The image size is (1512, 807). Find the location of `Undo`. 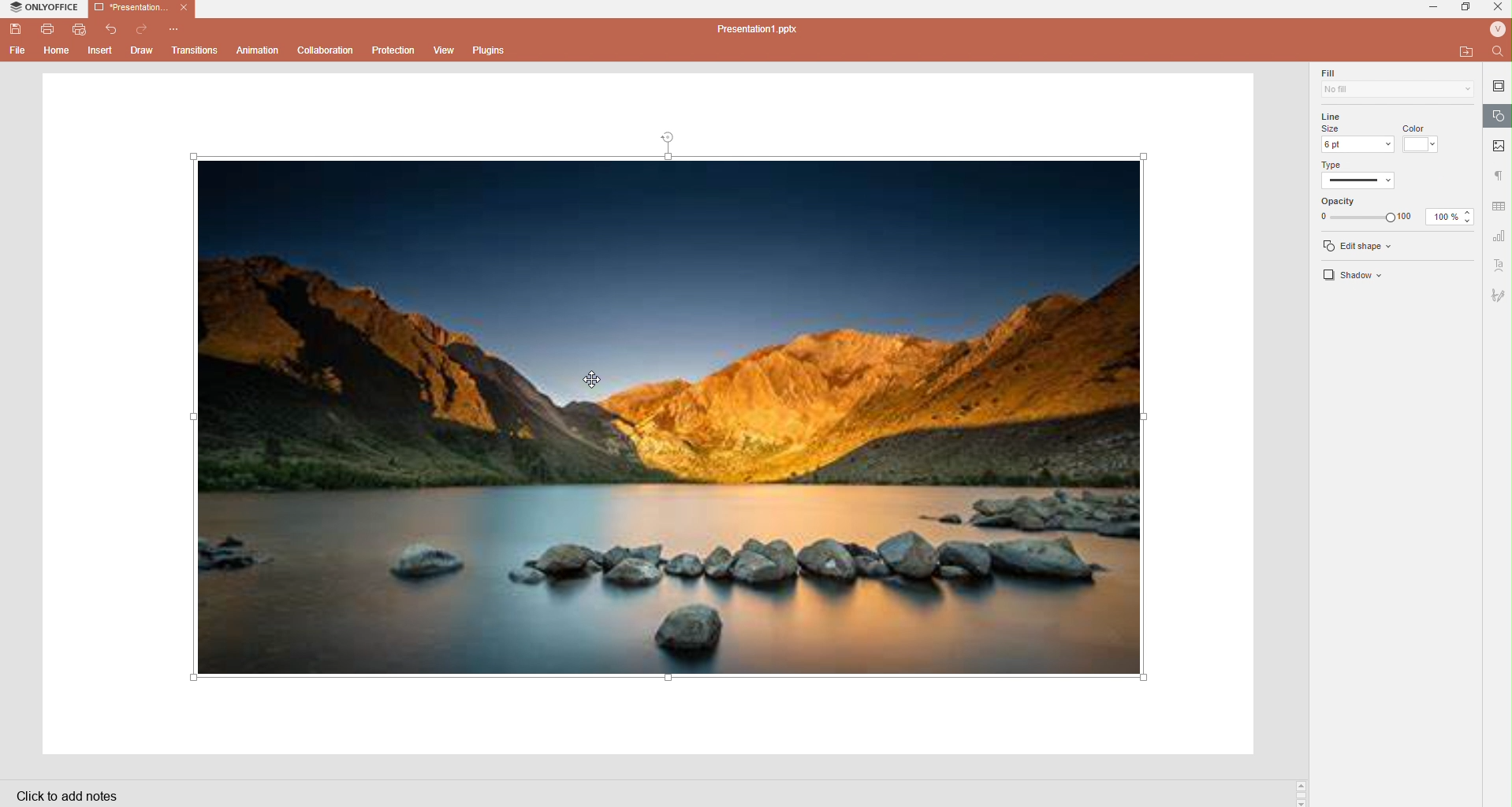

Undo is located at coordinates (115, 29).